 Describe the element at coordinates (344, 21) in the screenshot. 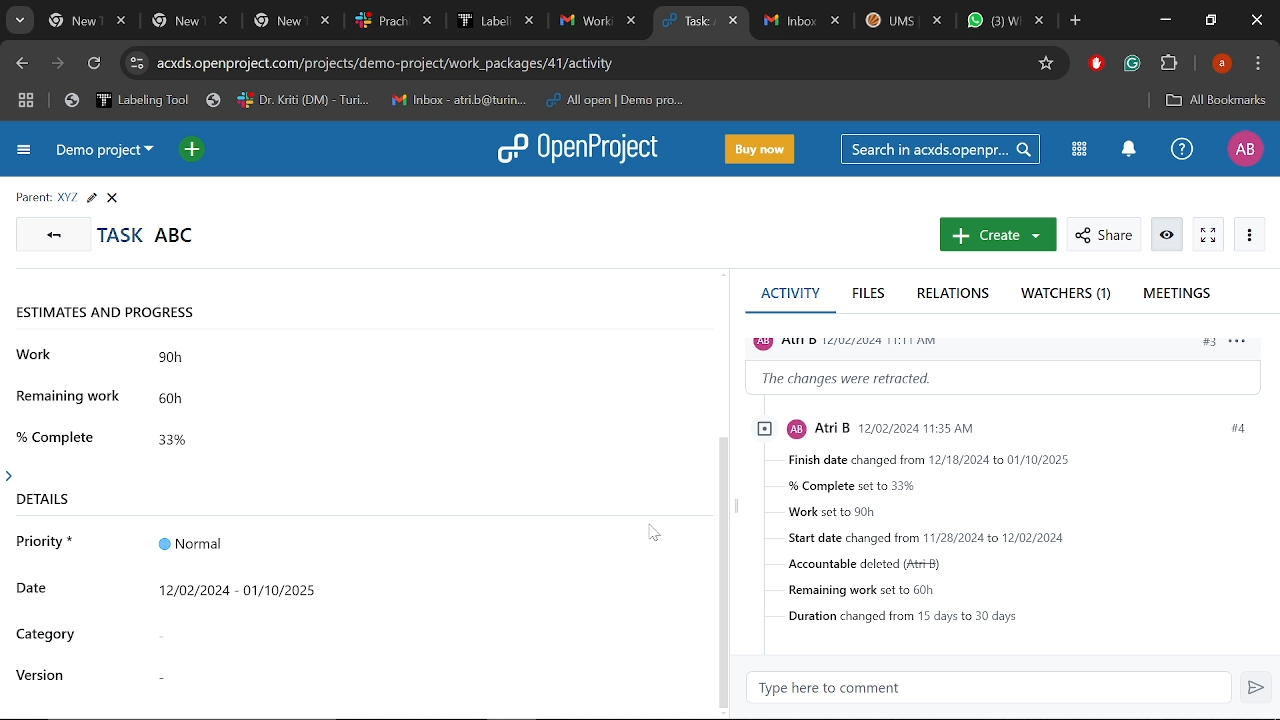

I see `Other tabs` at that location.